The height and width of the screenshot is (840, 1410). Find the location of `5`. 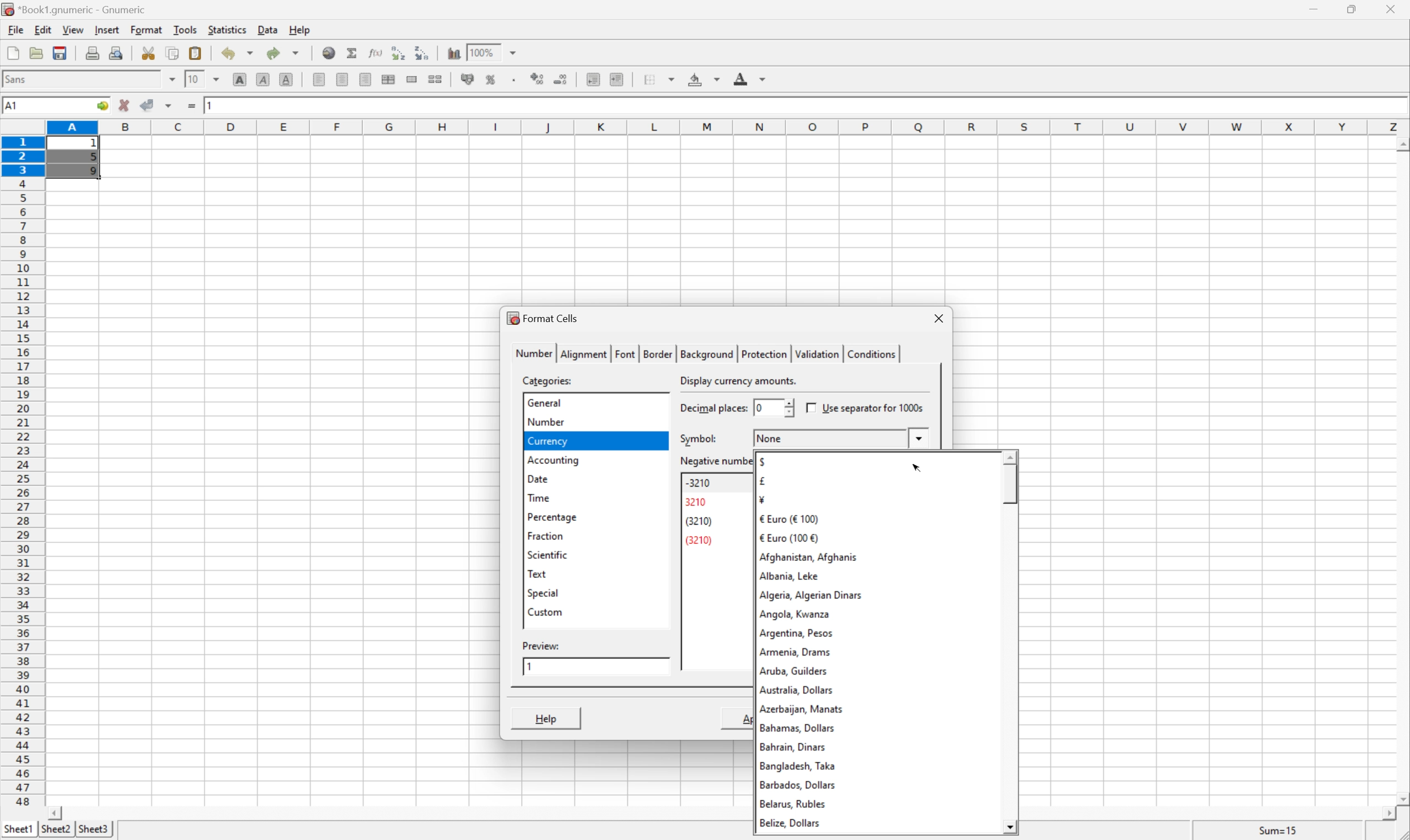

5 is located at coordinates (93, 158).